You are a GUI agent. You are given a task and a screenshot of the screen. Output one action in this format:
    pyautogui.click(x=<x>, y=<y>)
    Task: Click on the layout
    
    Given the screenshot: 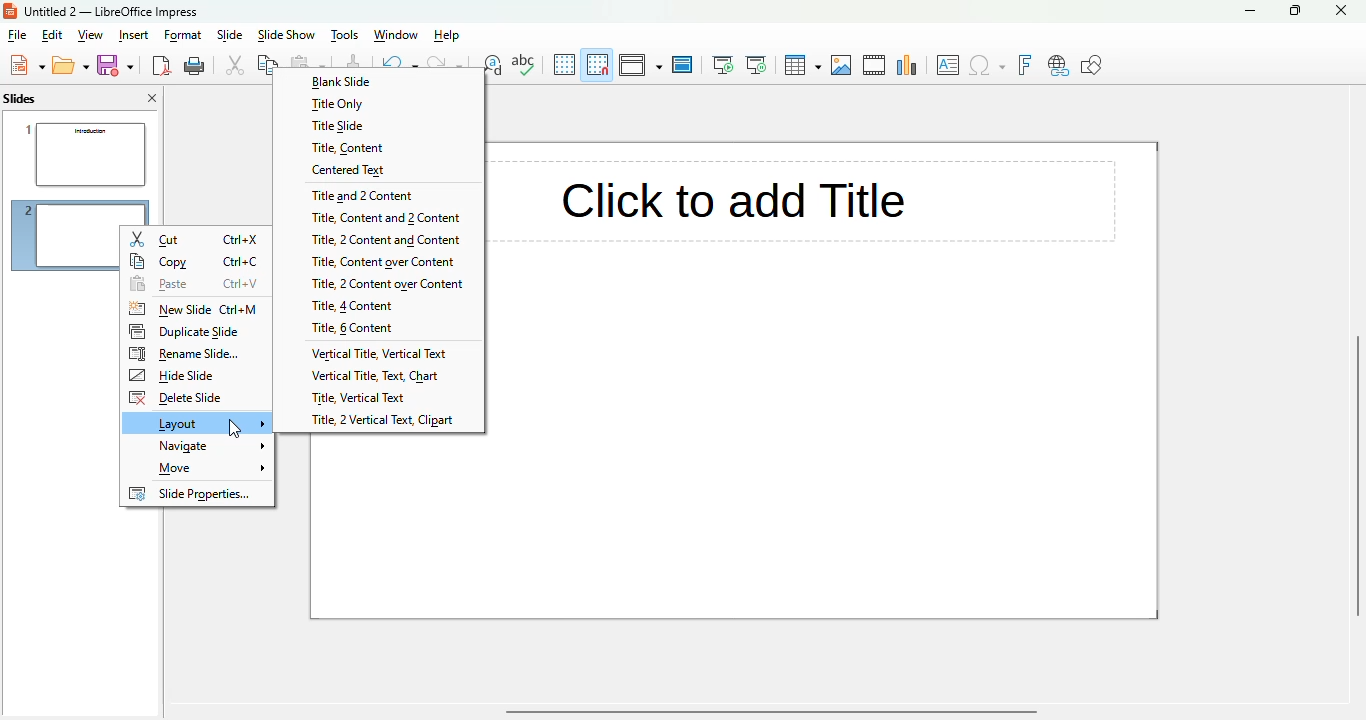 What is the action you would take?
    pyautogui.click(x=200, y=423)
    